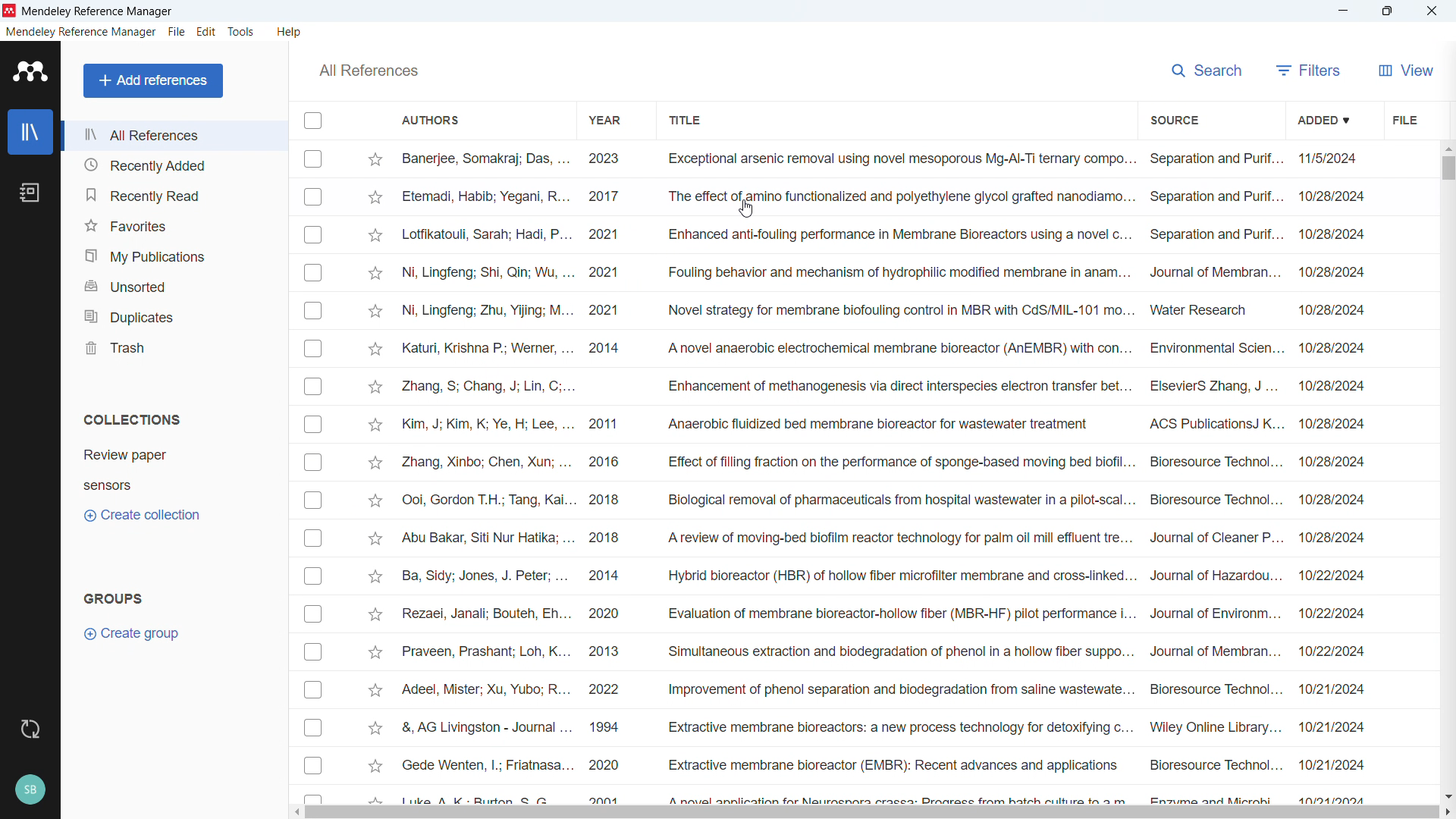  I want to click on Mendeley reference manager, so click(80, 32).